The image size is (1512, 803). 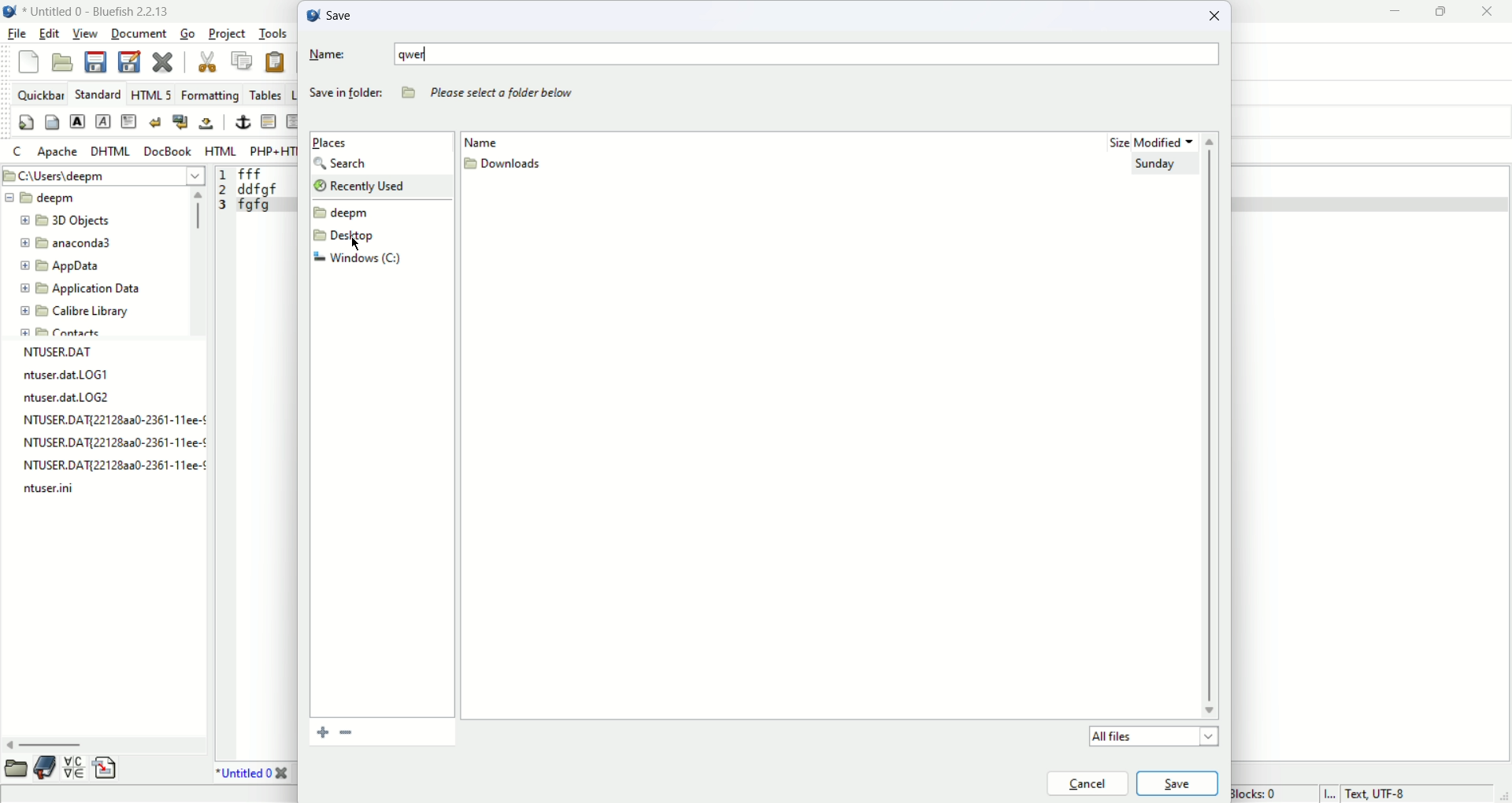 What do you see at coordinates (139, 34) in the screenshot?
I see `document` at bounding box center [139, 34].